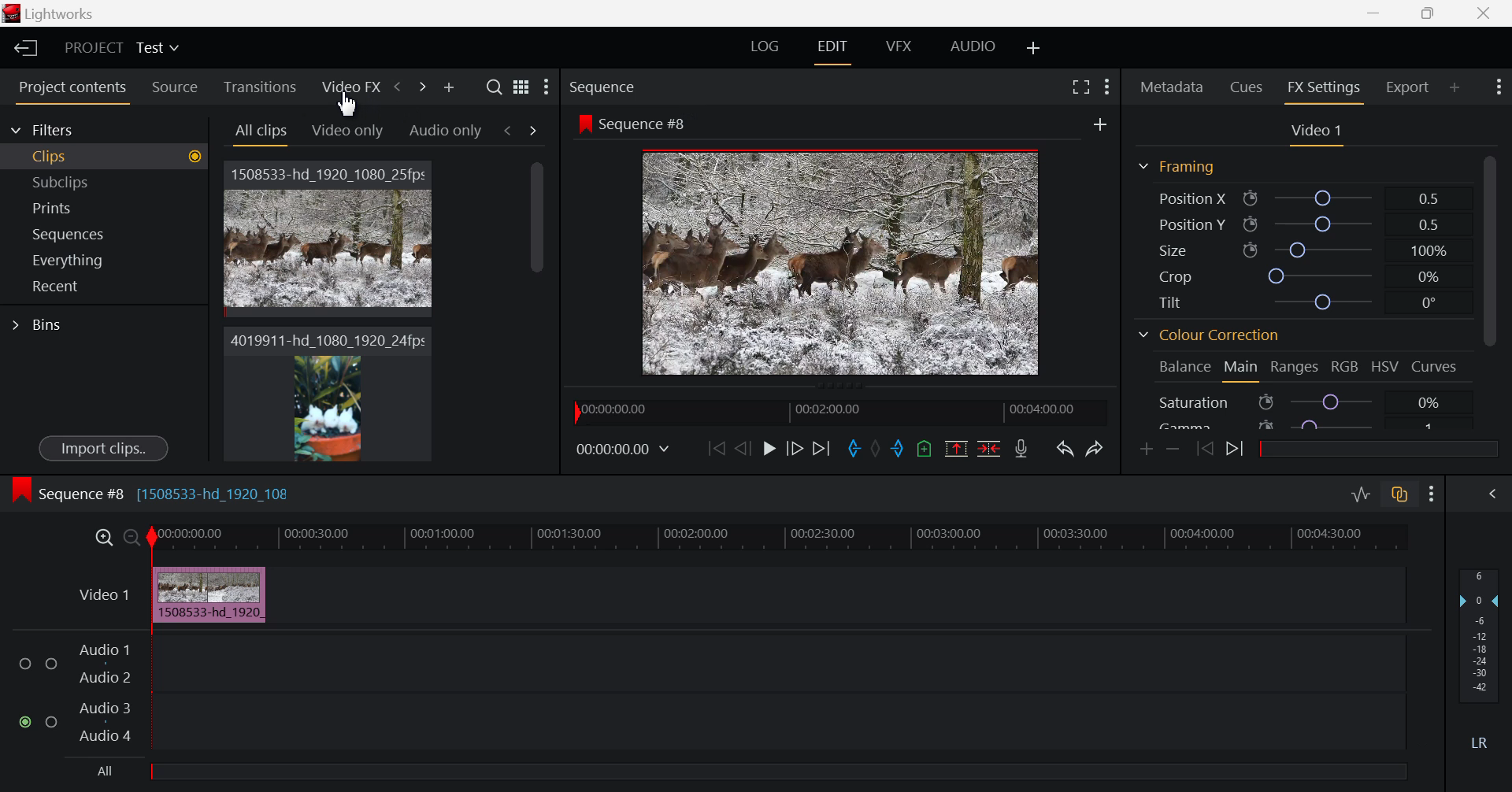 Image resolution: width=1512 pixels, height=792 pixels. I want to click on HSV, so click(1384, 367).